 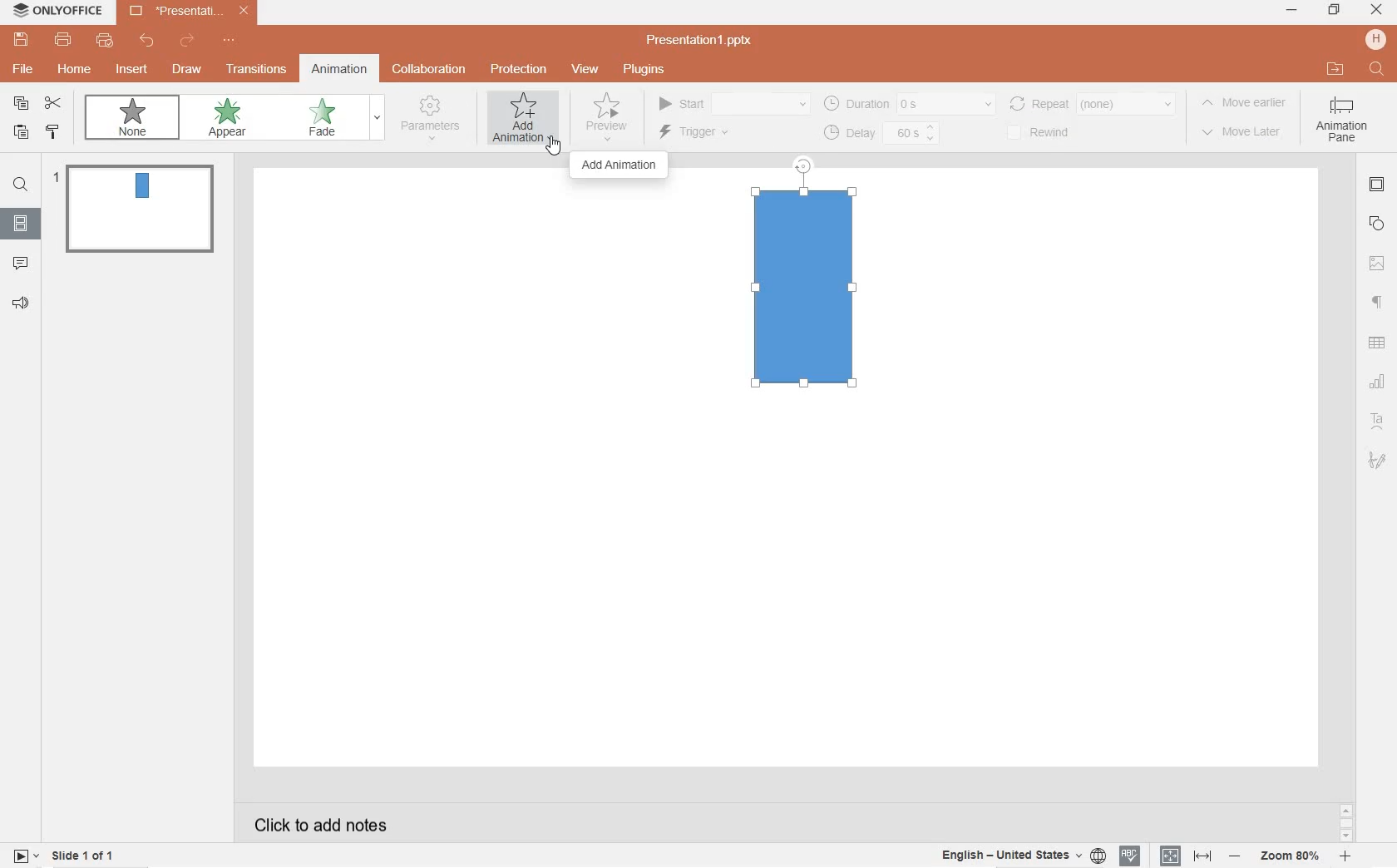 I want to click on home, so click(x=74, y=69).